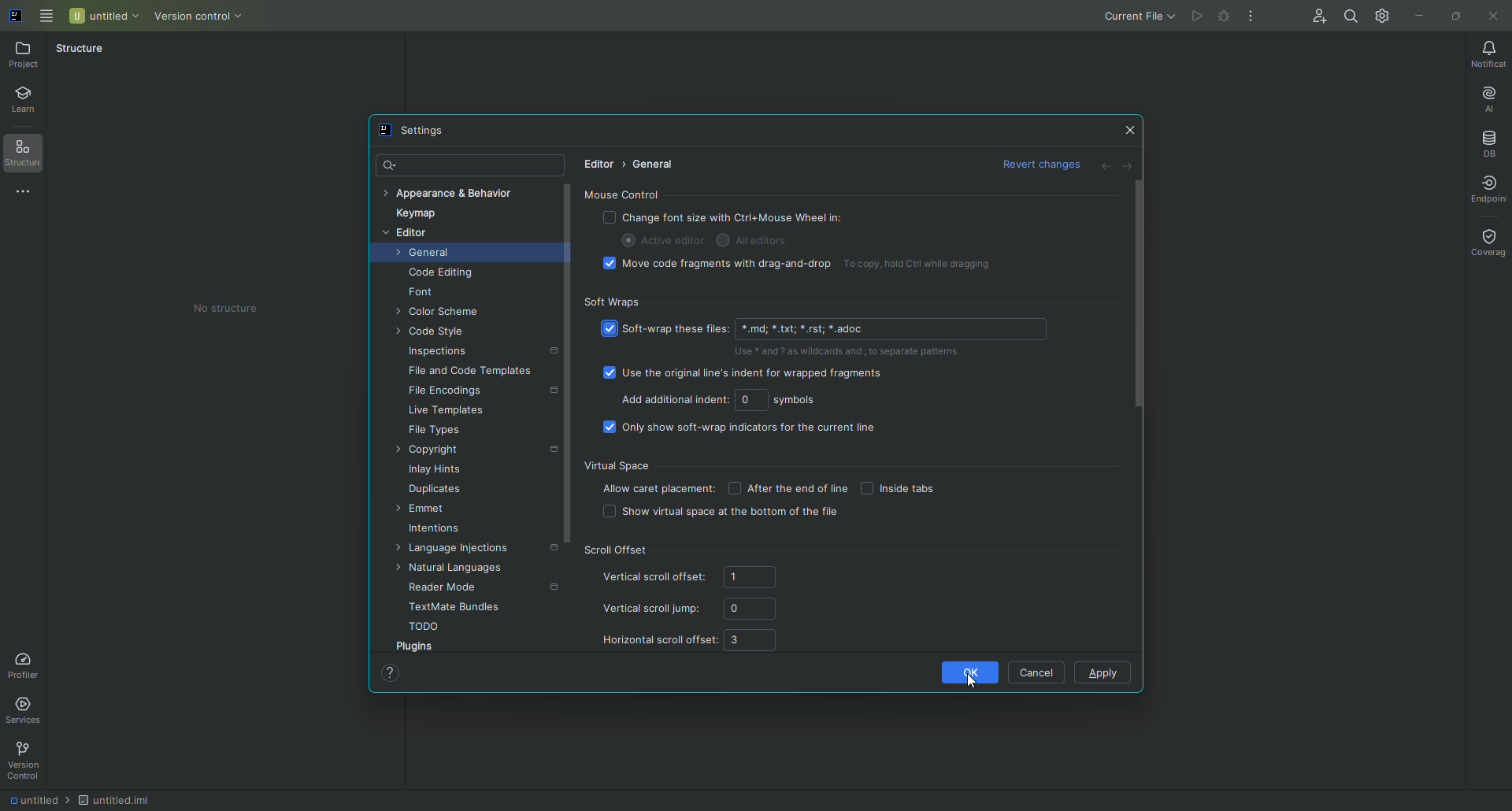 This screenshot has height=811, width=1512. What do you see at coordinates (1454, 15) in the screenshot?
I see `Restore` at bounding box center [1454, 15].